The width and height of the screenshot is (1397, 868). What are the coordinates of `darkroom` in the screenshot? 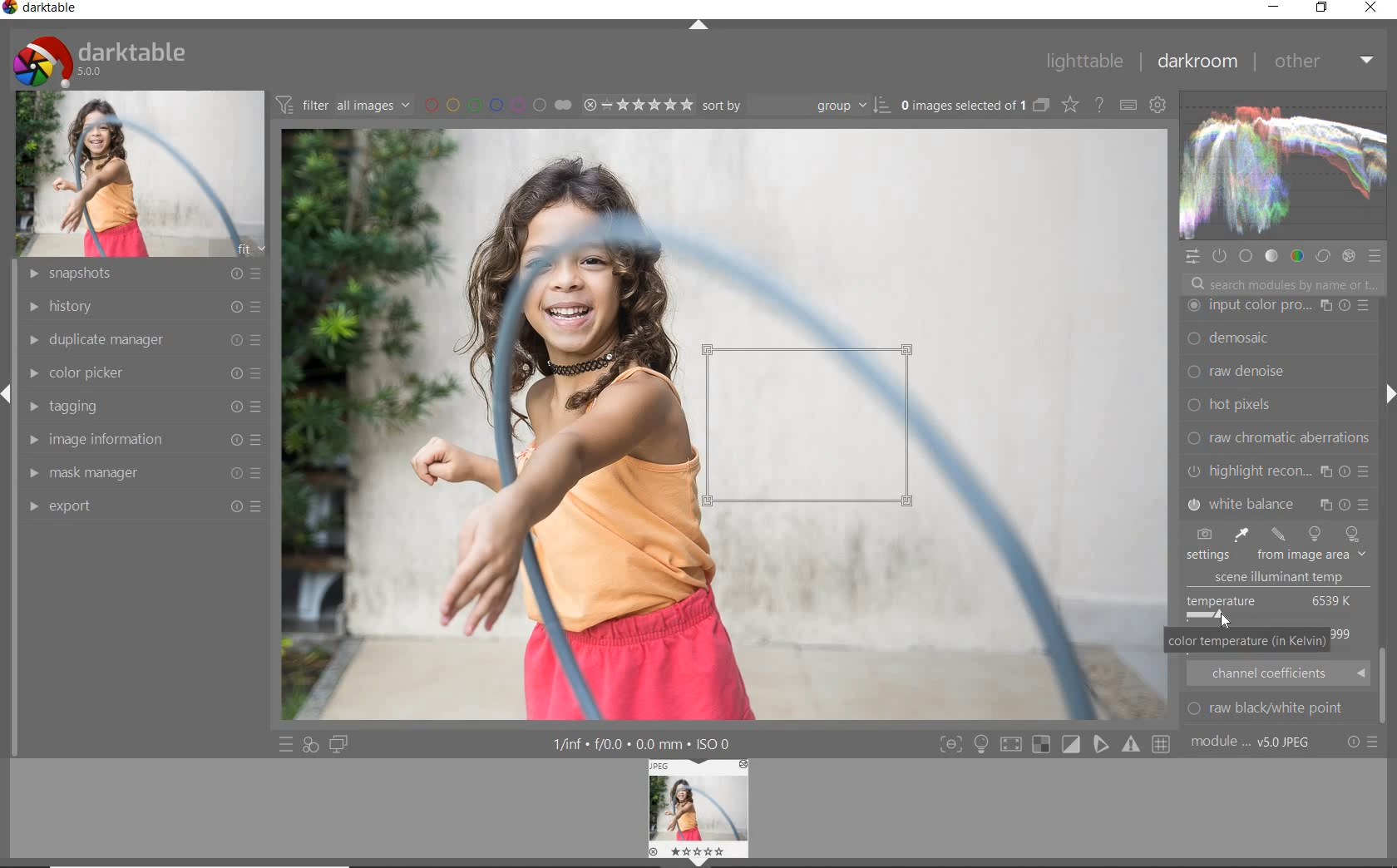 It's located at (1200, 62).